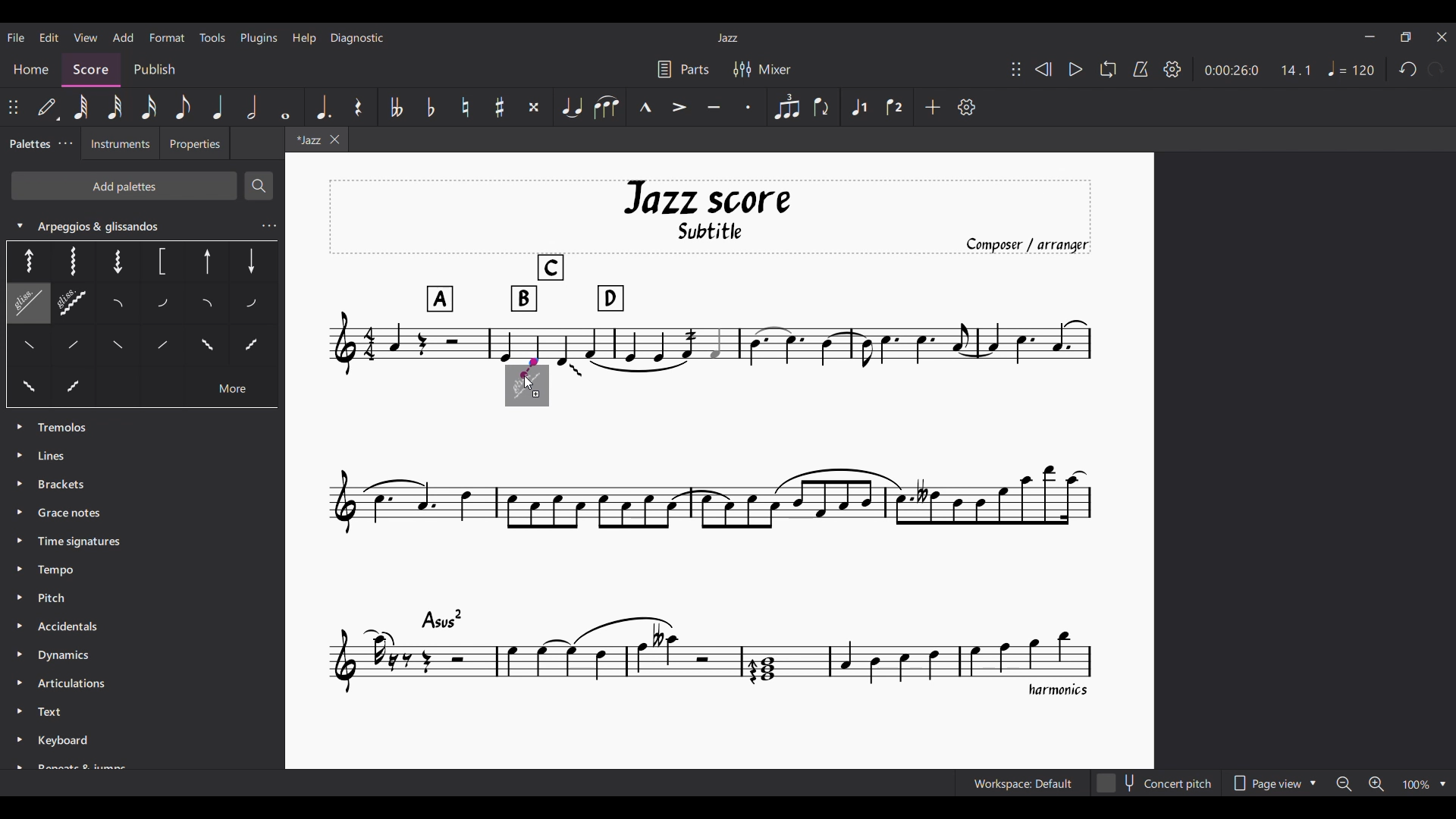 This screenshot has height=819, width=1456. Describe the element at coordinates (1442, 37) in the screenshot. I see `Close interface` at that location.